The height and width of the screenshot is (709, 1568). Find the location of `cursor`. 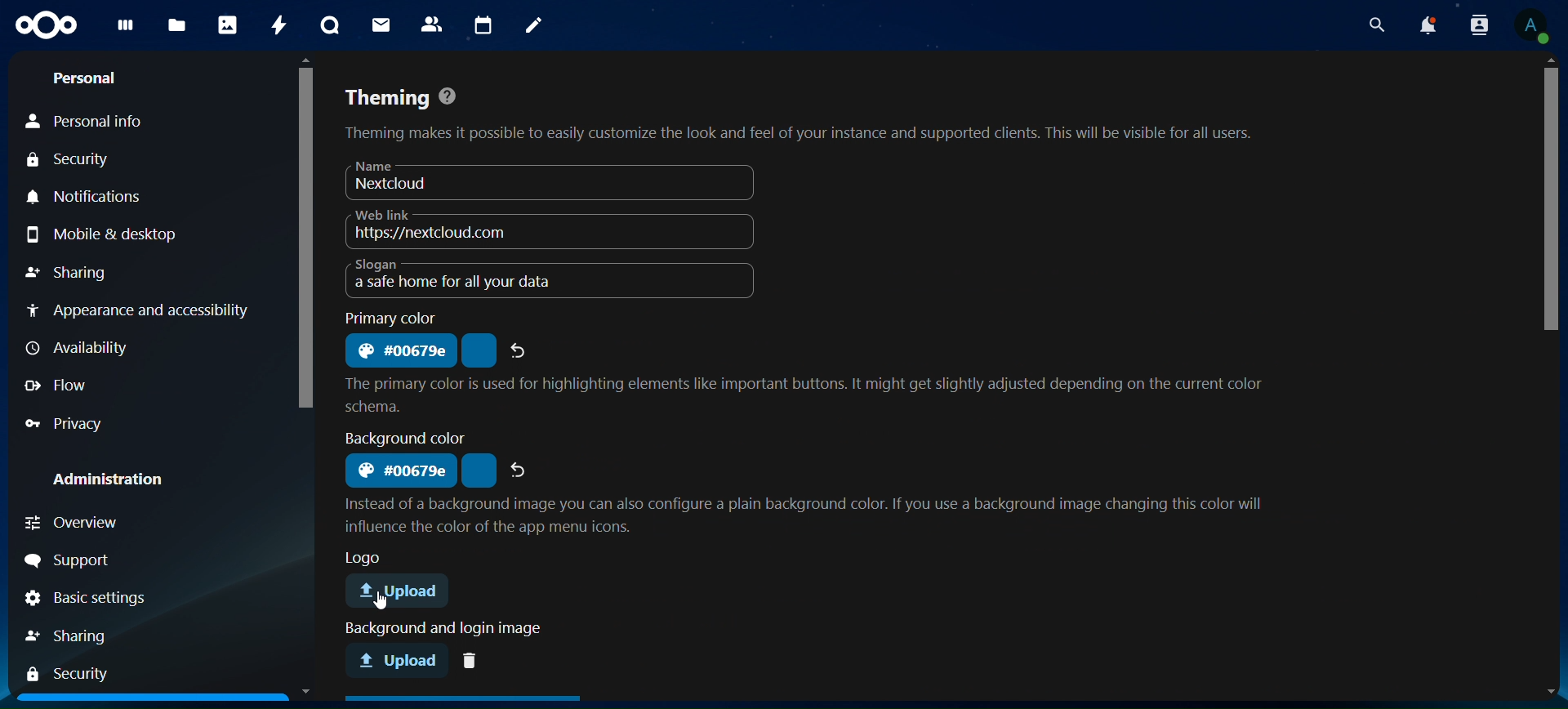

cursor is located at coordinates (381, 604).